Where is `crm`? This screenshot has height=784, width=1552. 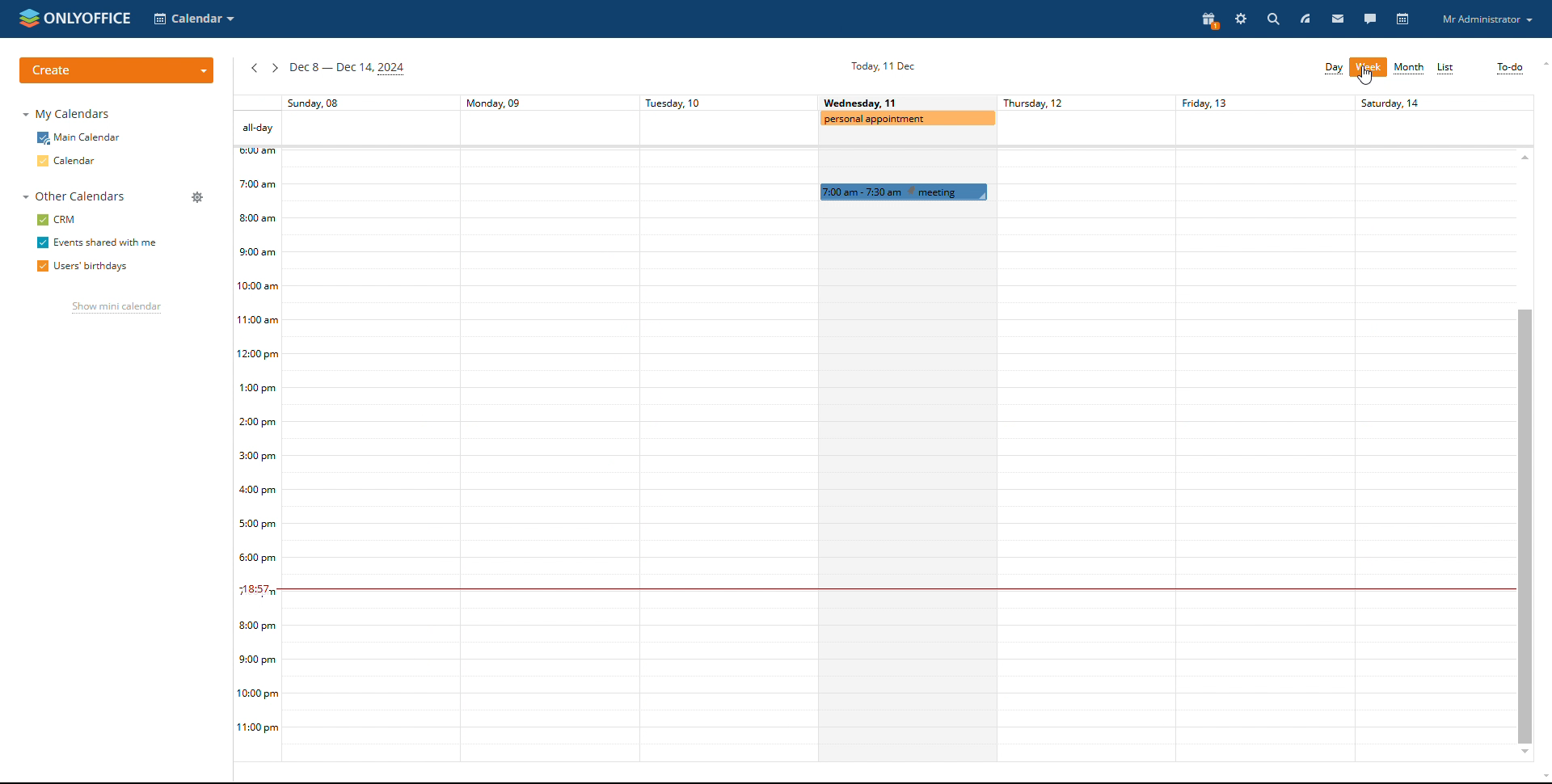 crm is located at coordinates (55, 220).